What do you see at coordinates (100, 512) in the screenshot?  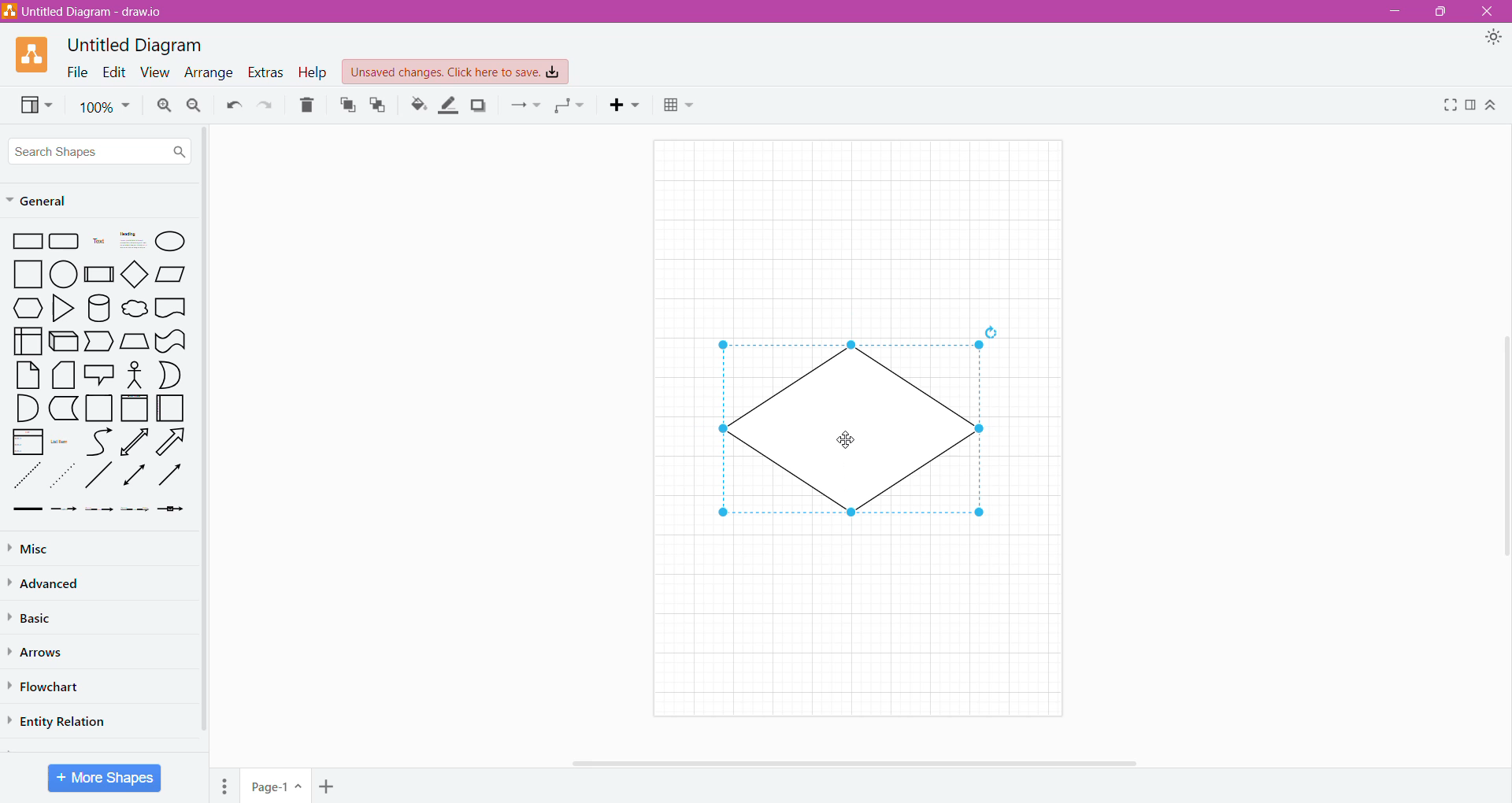 I see `Connector with 2 Labels` at bounding box center [100, 512].